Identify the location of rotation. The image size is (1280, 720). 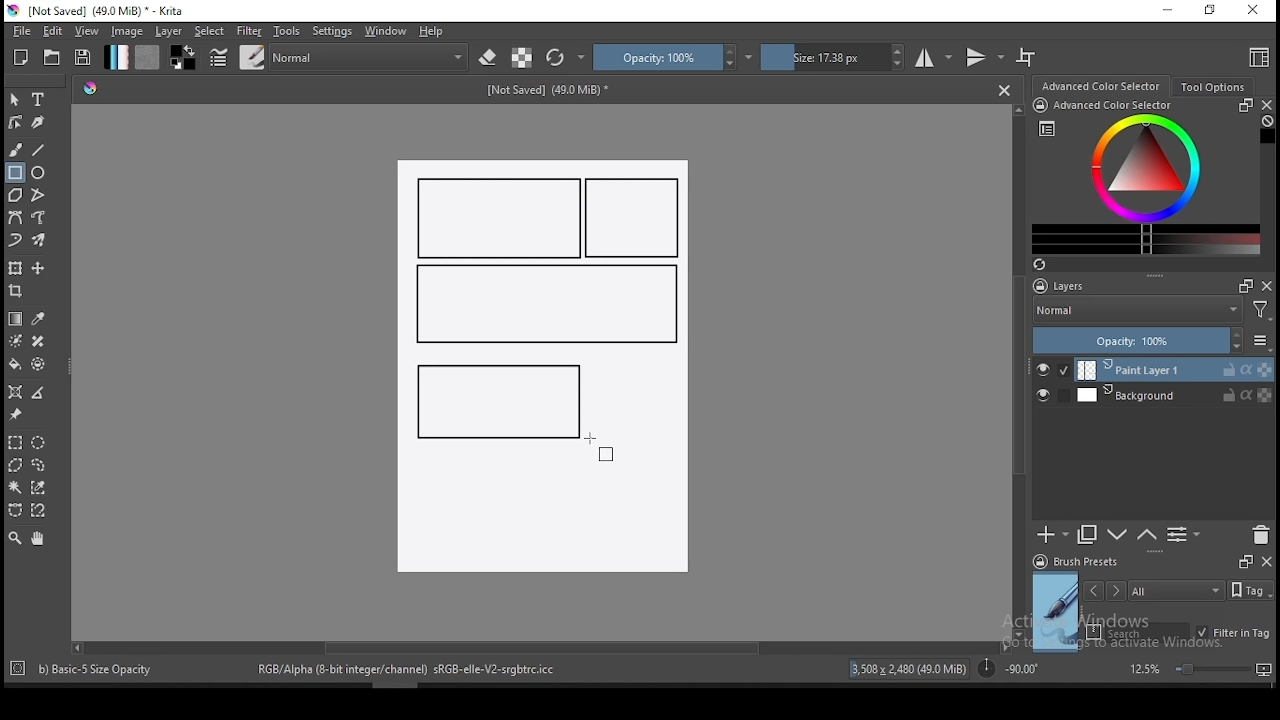
(1008, 667).